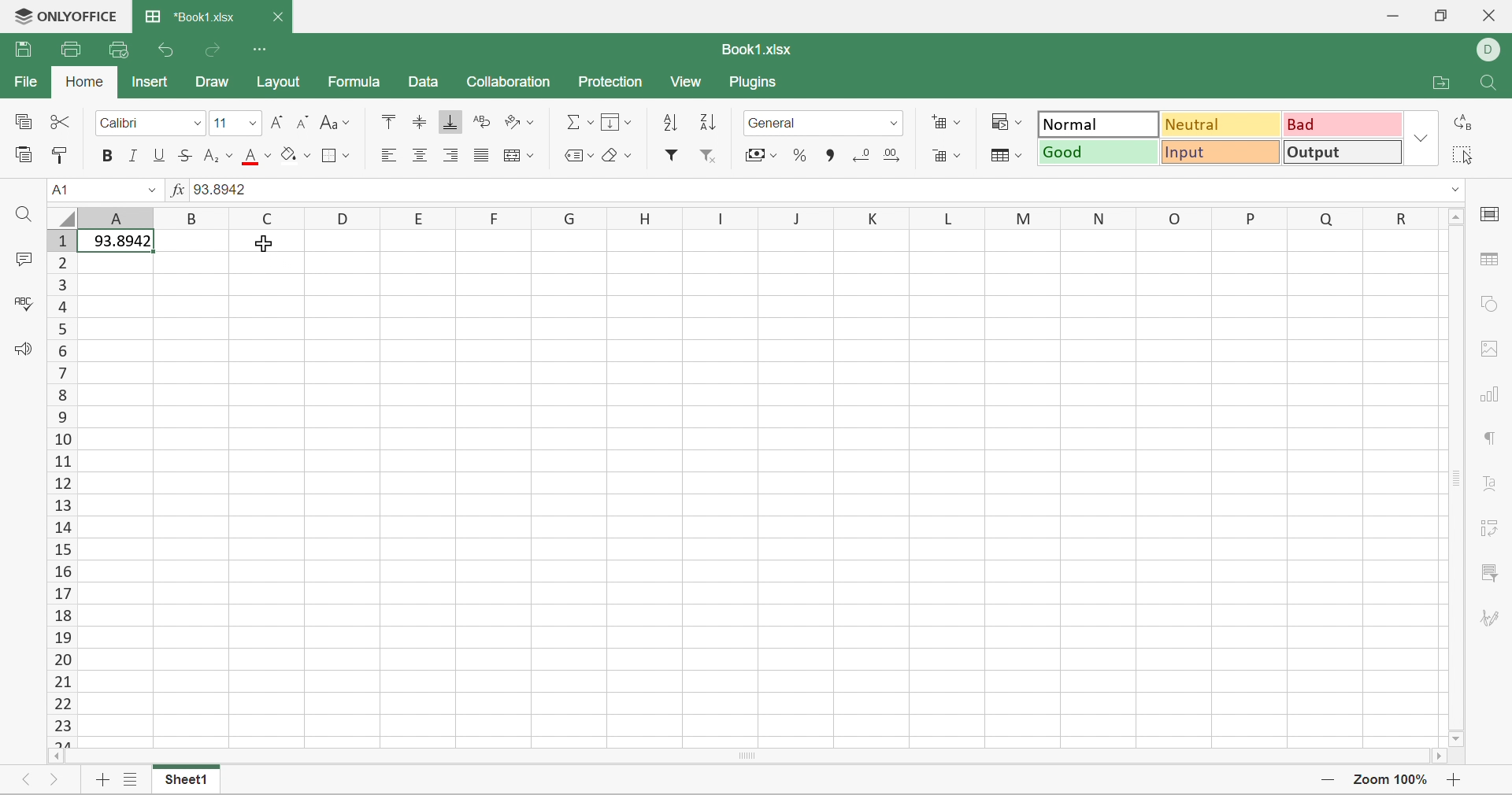  Describe the element at coordinates (183, 782) in the screenshot. I see `Sheet1` at that location.